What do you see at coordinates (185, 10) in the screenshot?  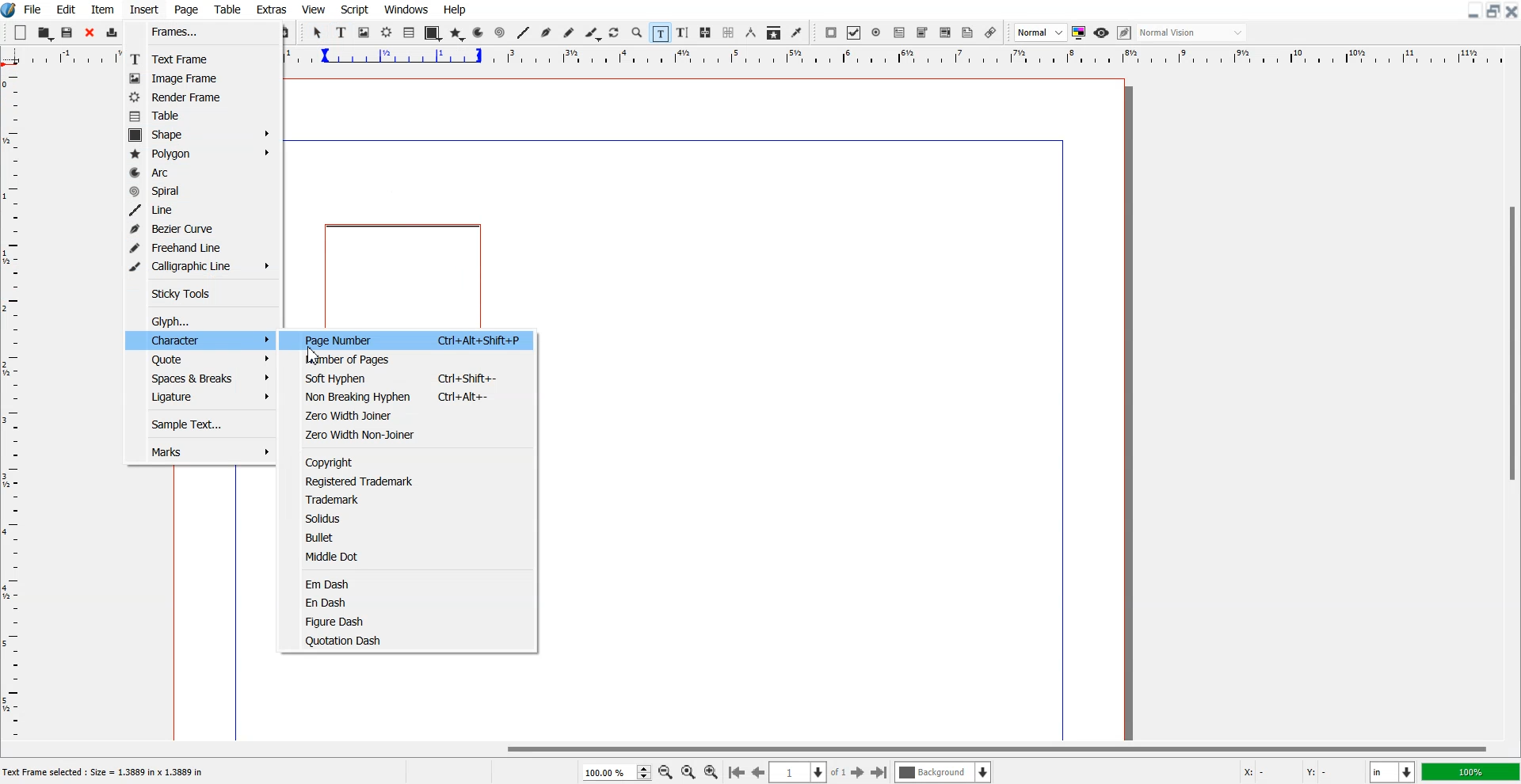 I see `Page` at bounding box center [185, 10].